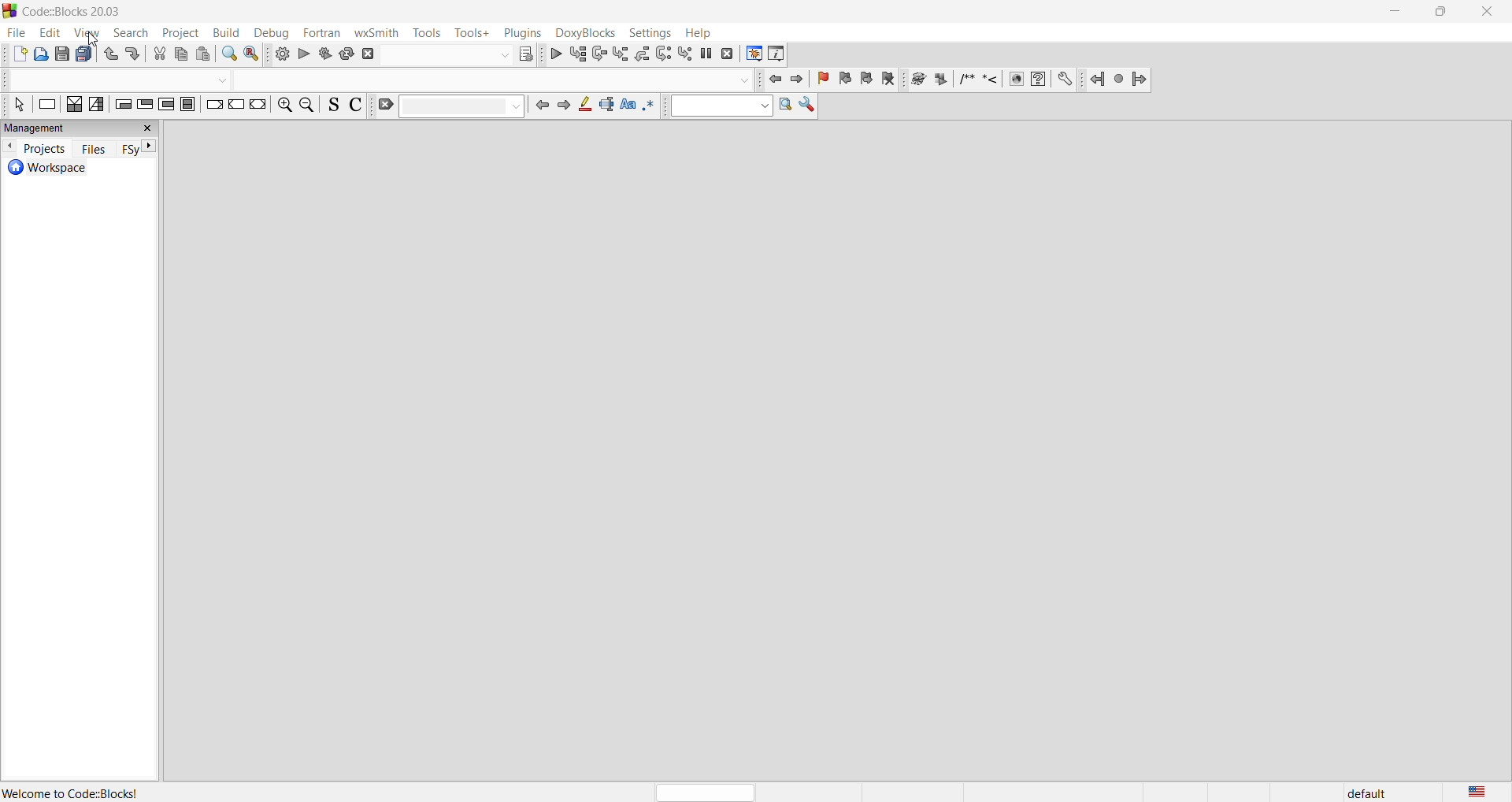  Describe the element at coordinates (253, 54) in the screenshot. I see `replace` at that location.